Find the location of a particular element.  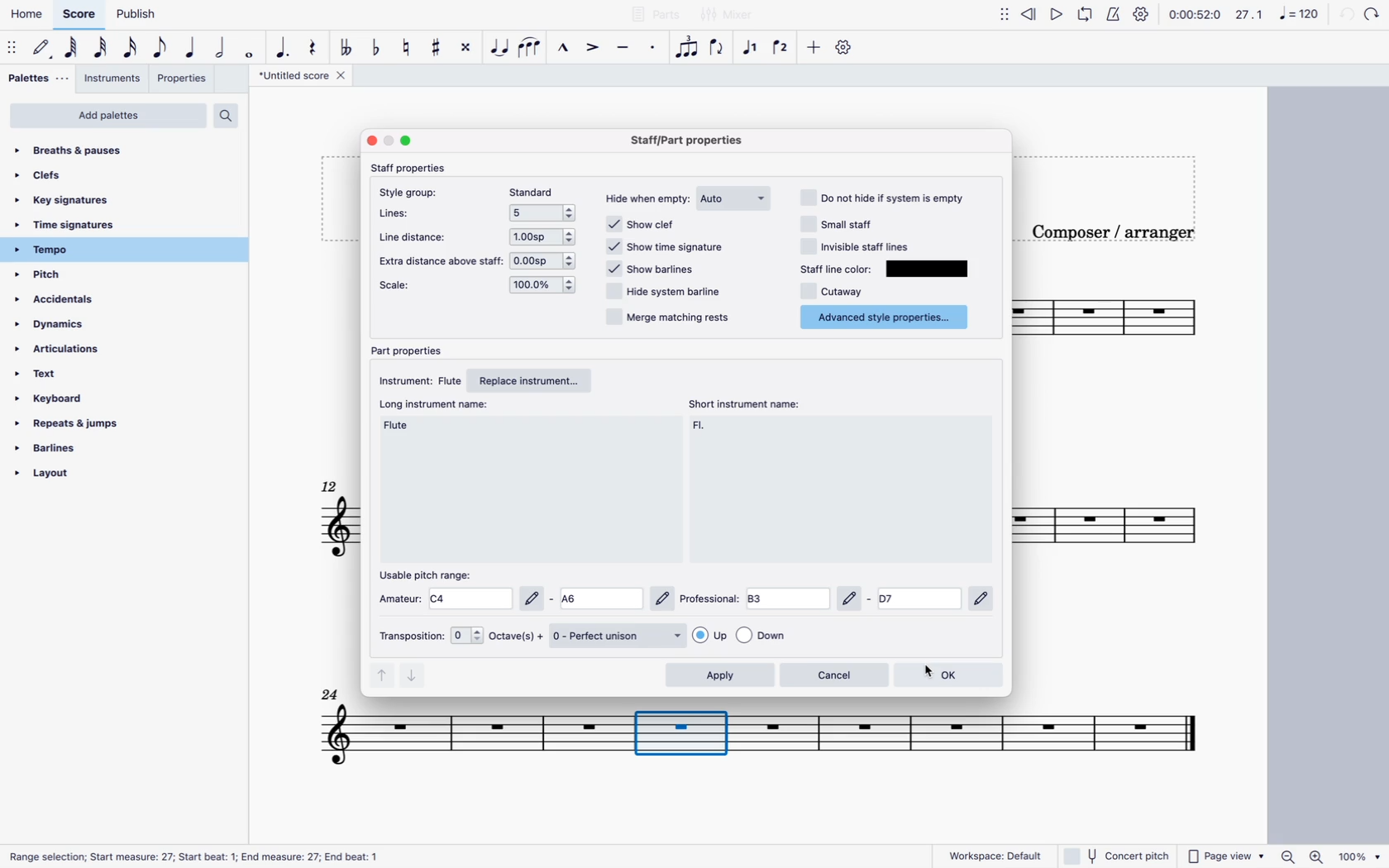

pitch is located at coordinates (64, 276).